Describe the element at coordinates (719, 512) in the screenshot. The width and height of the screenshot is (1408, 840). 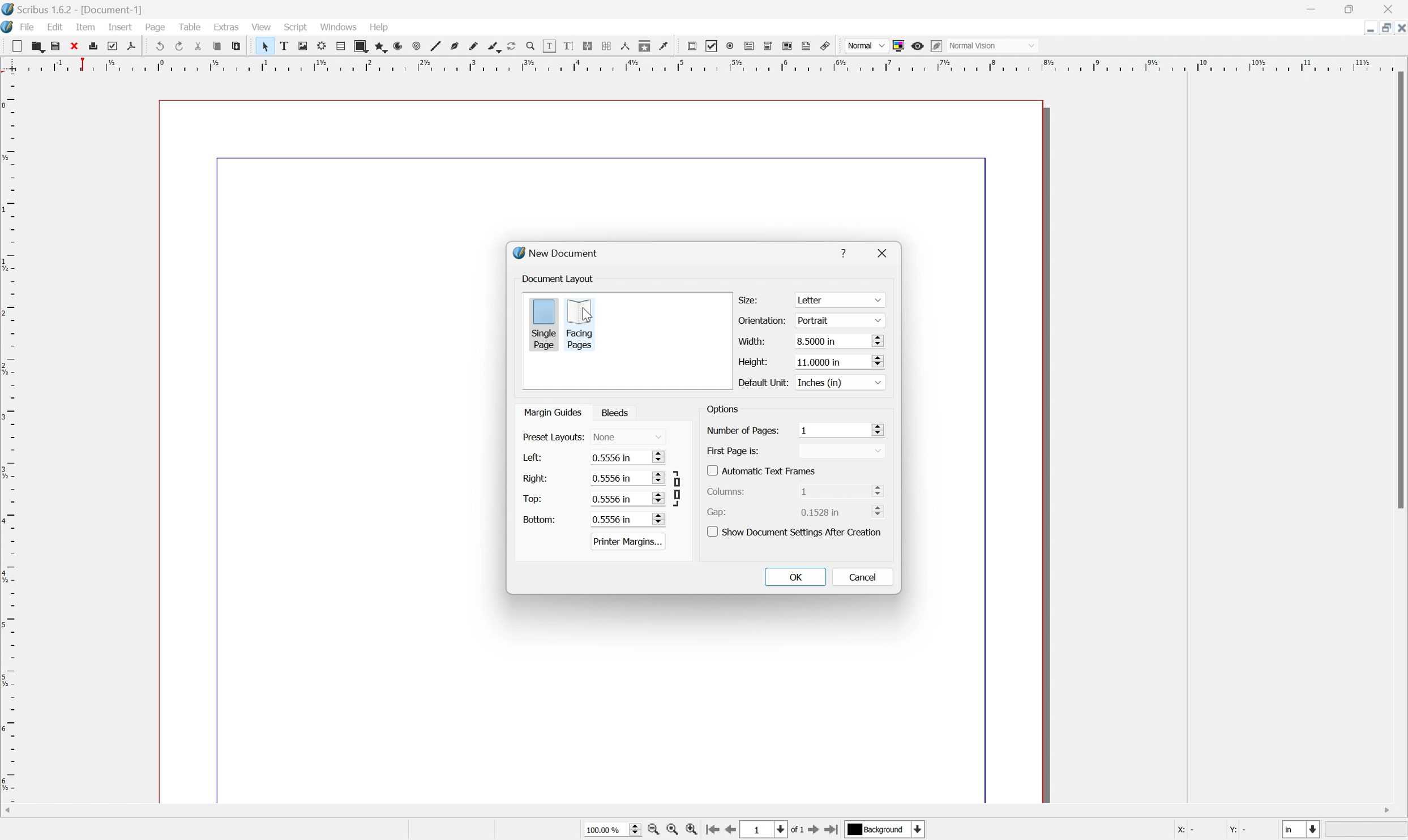
I see `Grp:` at that location.